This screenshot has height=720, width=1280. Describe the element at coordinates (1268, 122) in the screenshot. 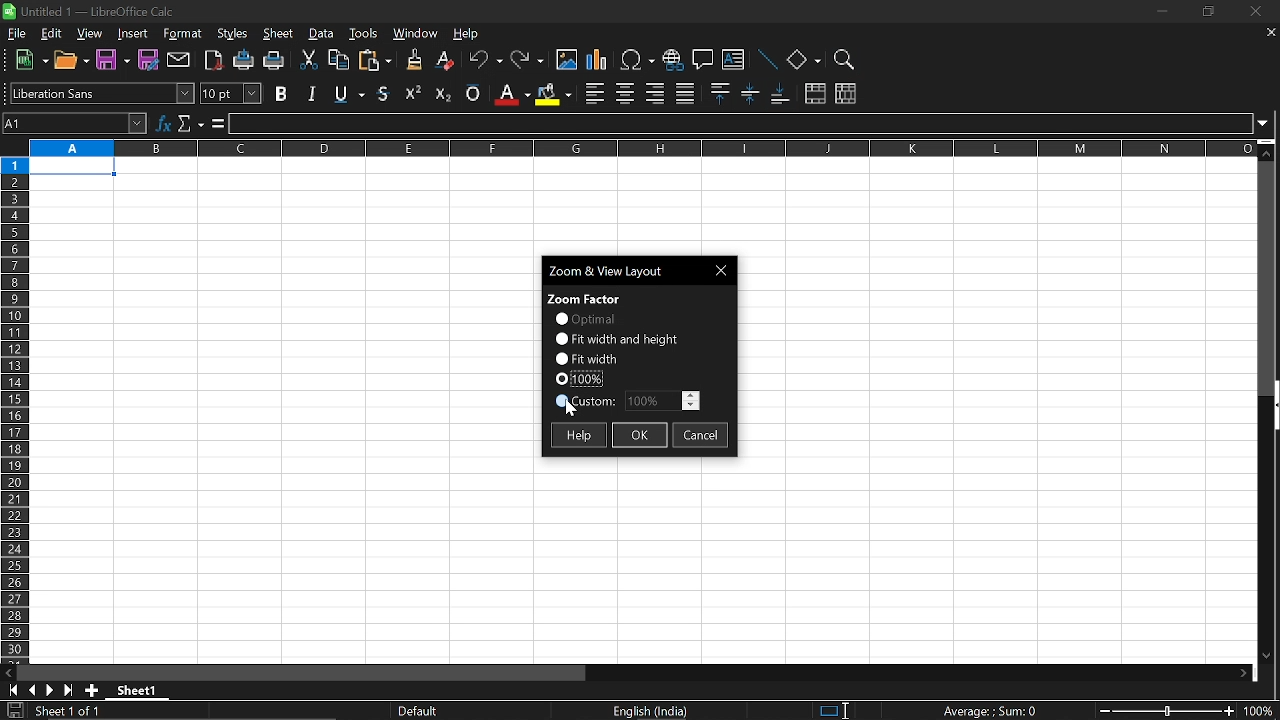

I see `expand formula bar` at that location.